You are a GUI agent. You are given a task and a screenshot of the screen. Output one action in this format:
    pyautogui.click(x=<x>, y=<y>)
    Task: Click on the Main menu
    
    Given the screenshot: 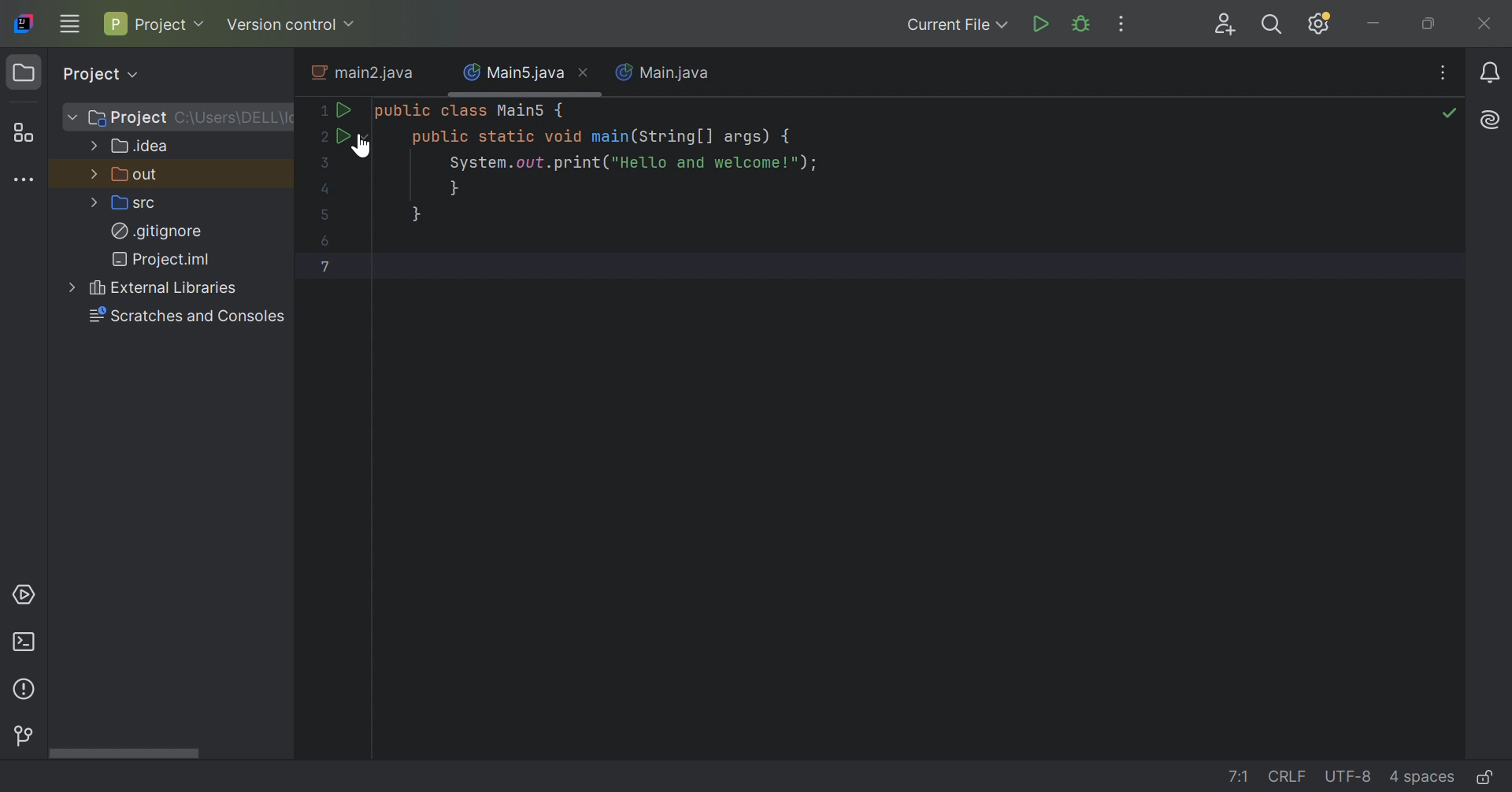 What is the action you would take?
    pyautogui.click(x=69, y=24)
    